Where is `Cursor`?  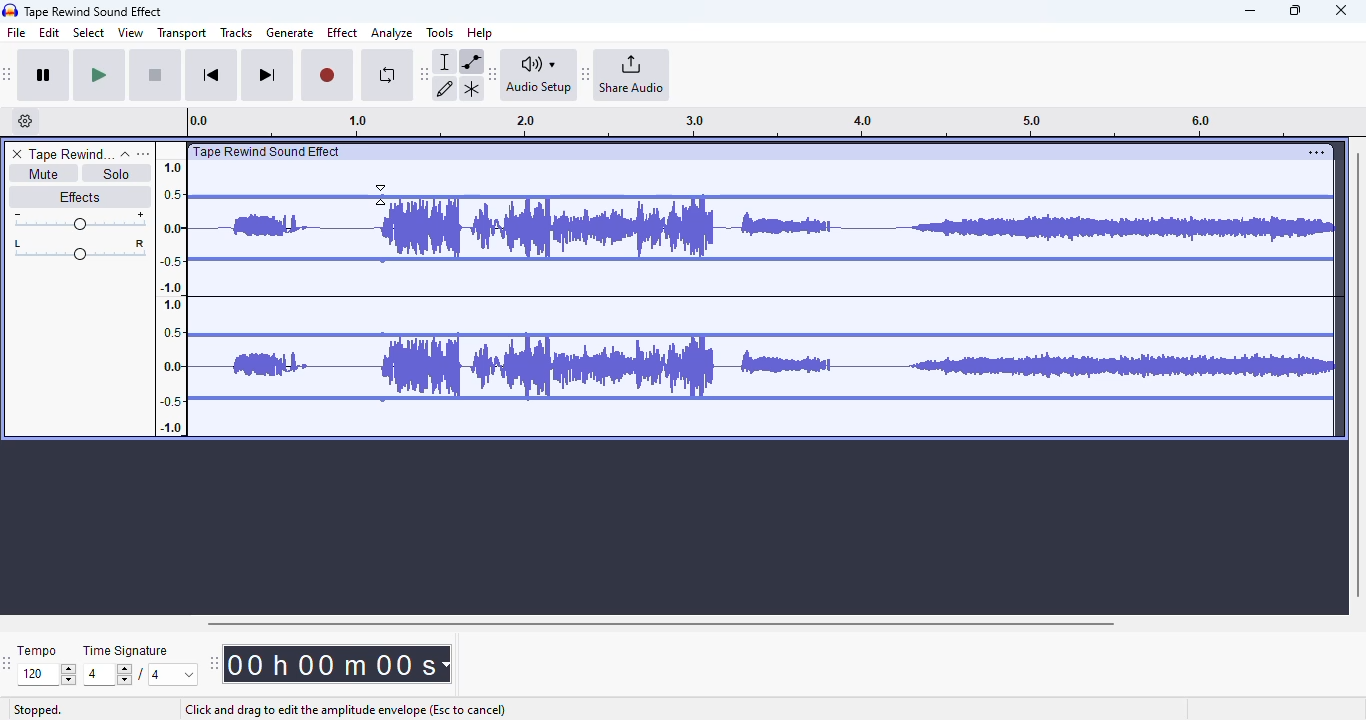 Cursor is located at coordinates (379, 194).